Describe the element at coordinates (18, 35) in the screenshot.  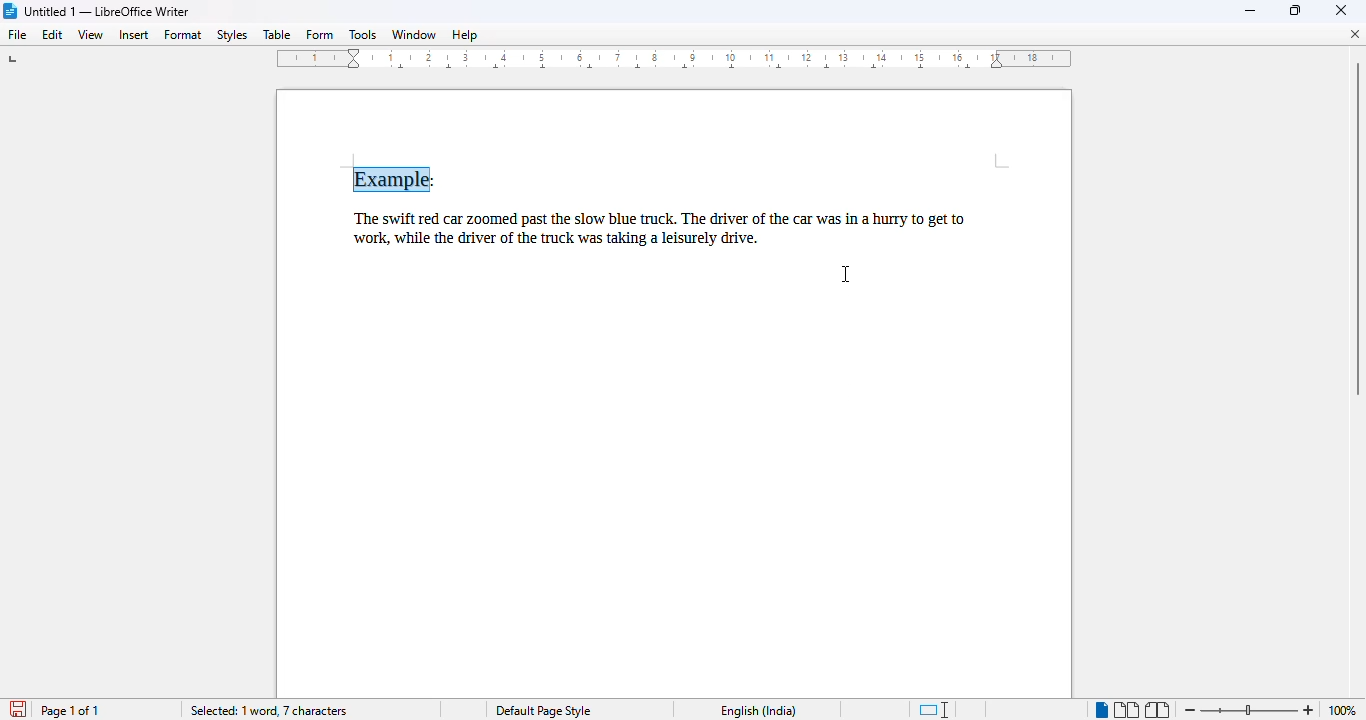
I see `file` at that location.